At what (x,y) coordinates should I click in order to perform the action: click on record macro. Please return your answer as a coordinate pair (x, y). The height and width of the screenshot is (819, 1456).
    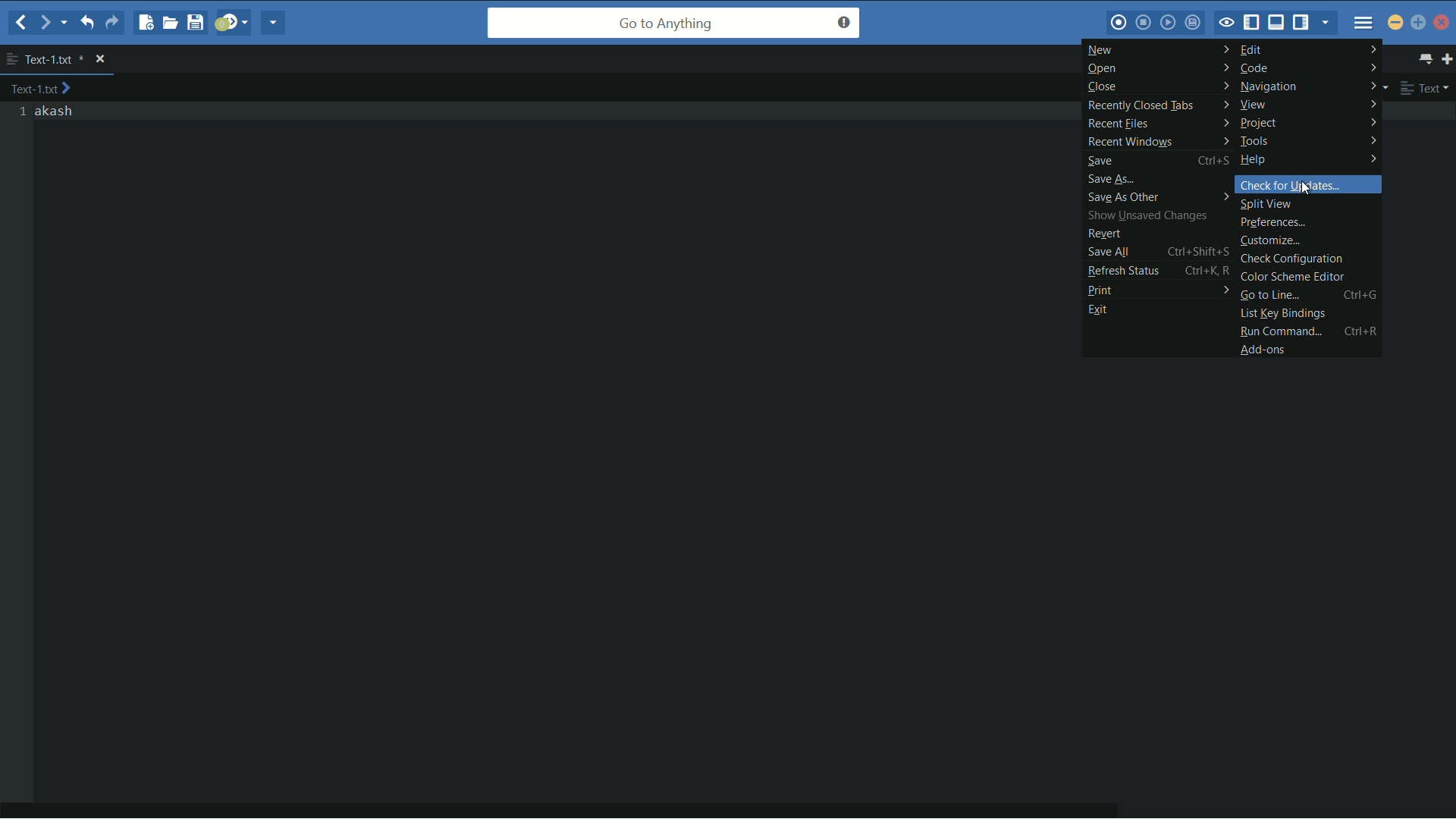
    Looking at the image, I should click on (1120, 22).